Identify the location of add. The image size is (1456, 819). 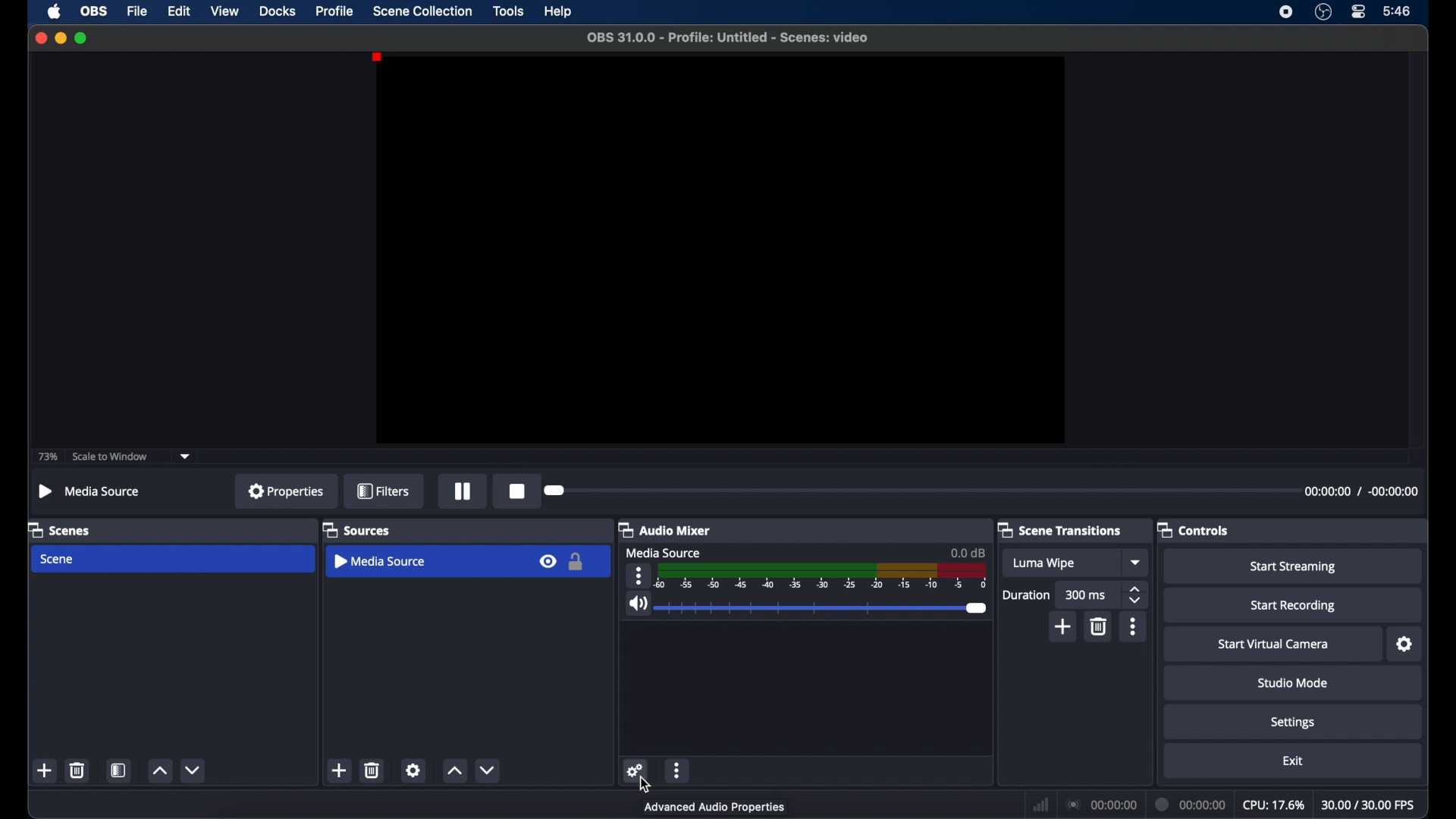
(340, 770).